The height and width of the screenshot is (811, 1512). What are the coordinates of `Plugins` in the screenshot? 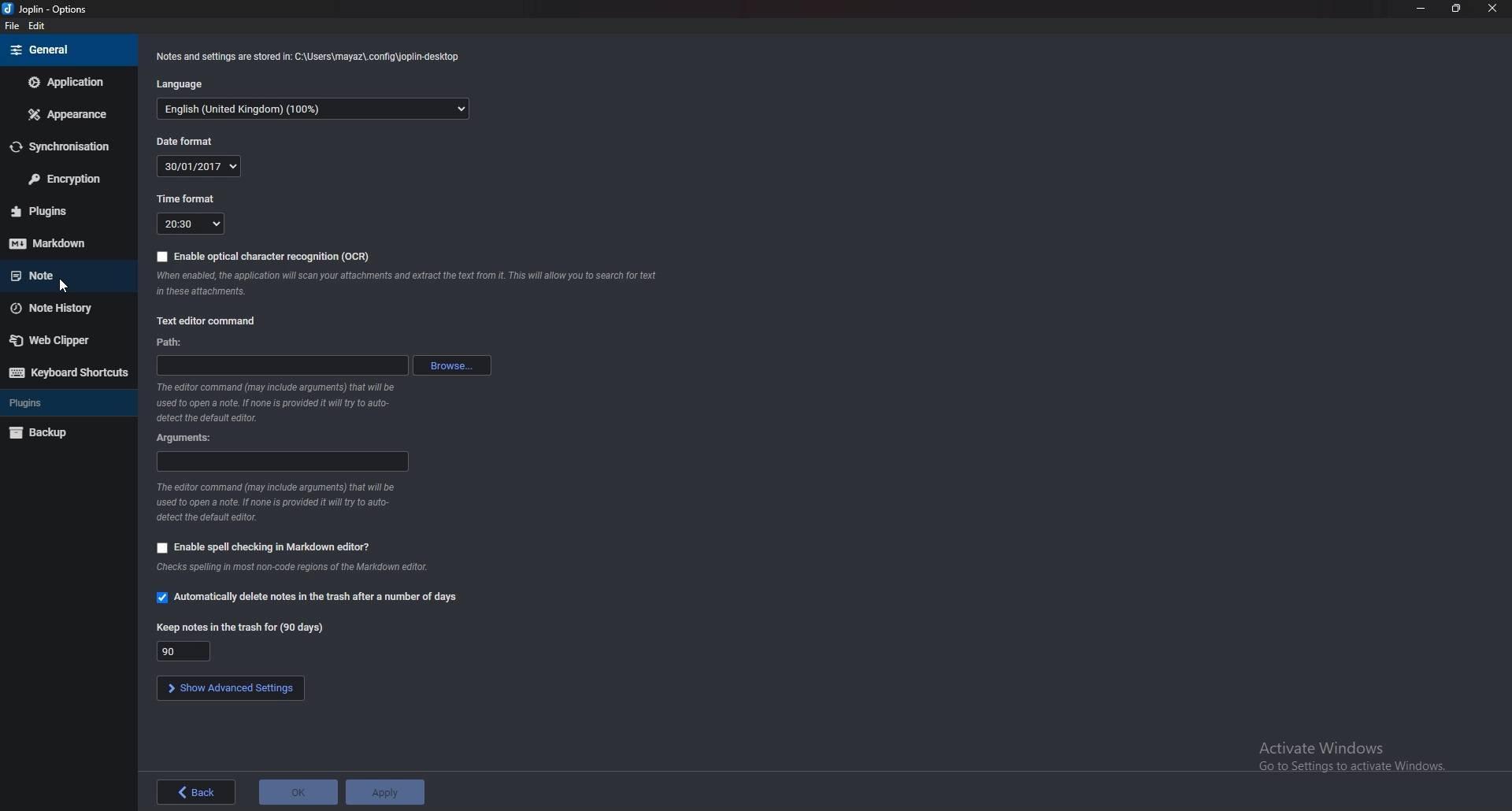 It's located at (62, 402).